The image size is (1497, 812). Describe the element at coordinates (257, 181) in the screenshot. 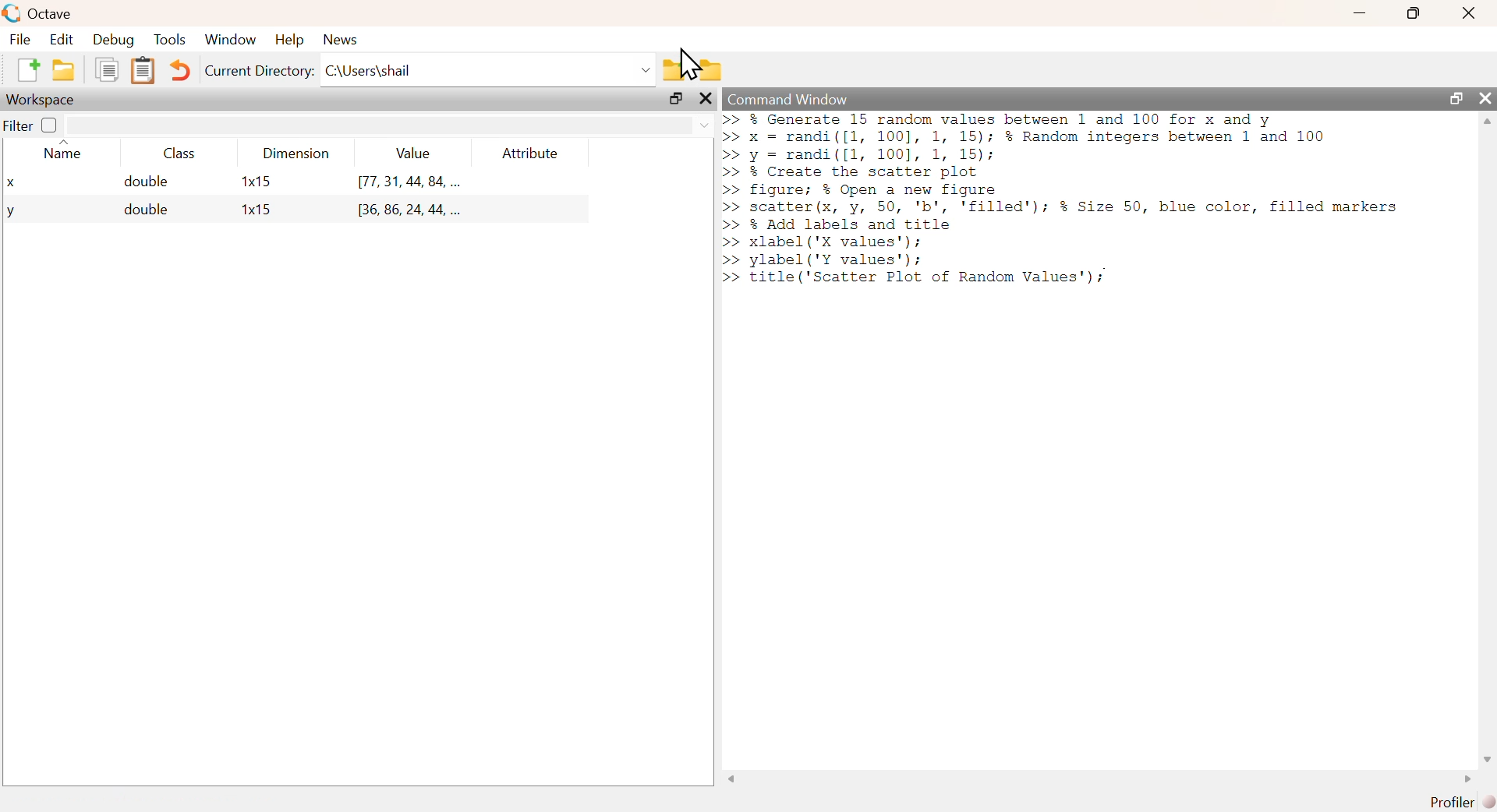

I see `1x15` at that location.